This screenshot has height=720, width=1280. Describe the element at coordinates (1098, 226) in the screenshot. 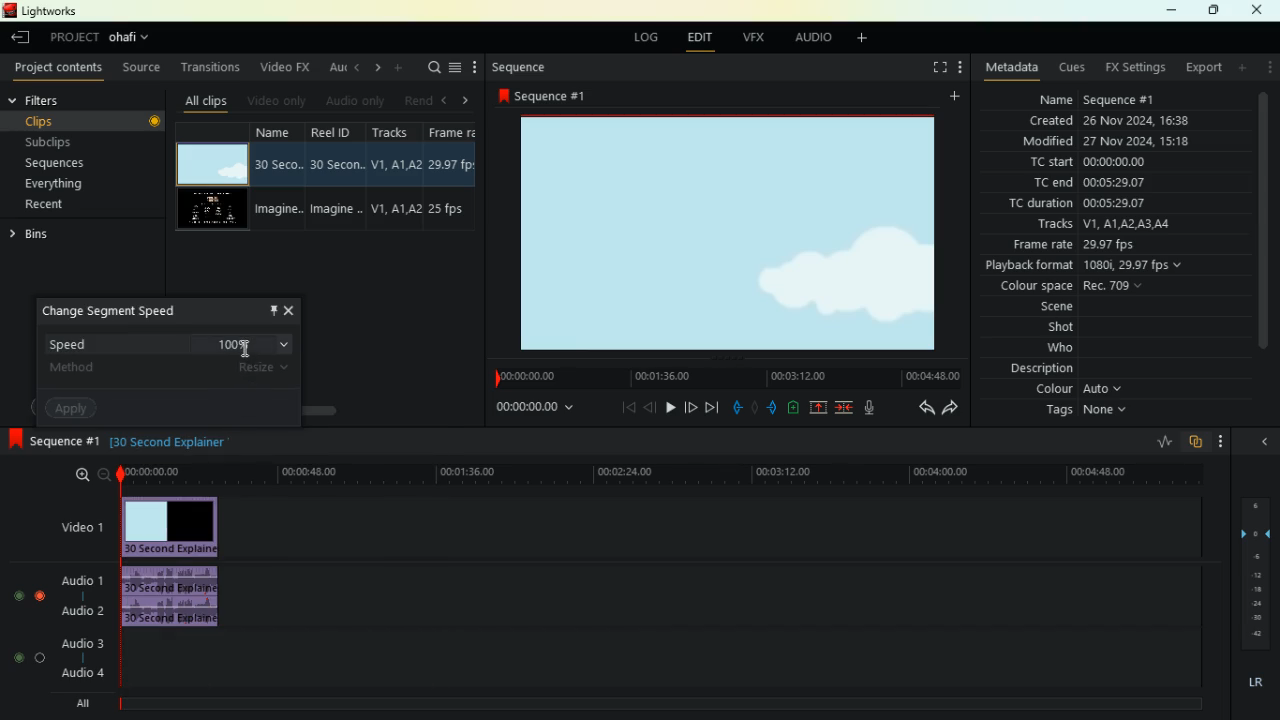

I see `tracks` at that location.